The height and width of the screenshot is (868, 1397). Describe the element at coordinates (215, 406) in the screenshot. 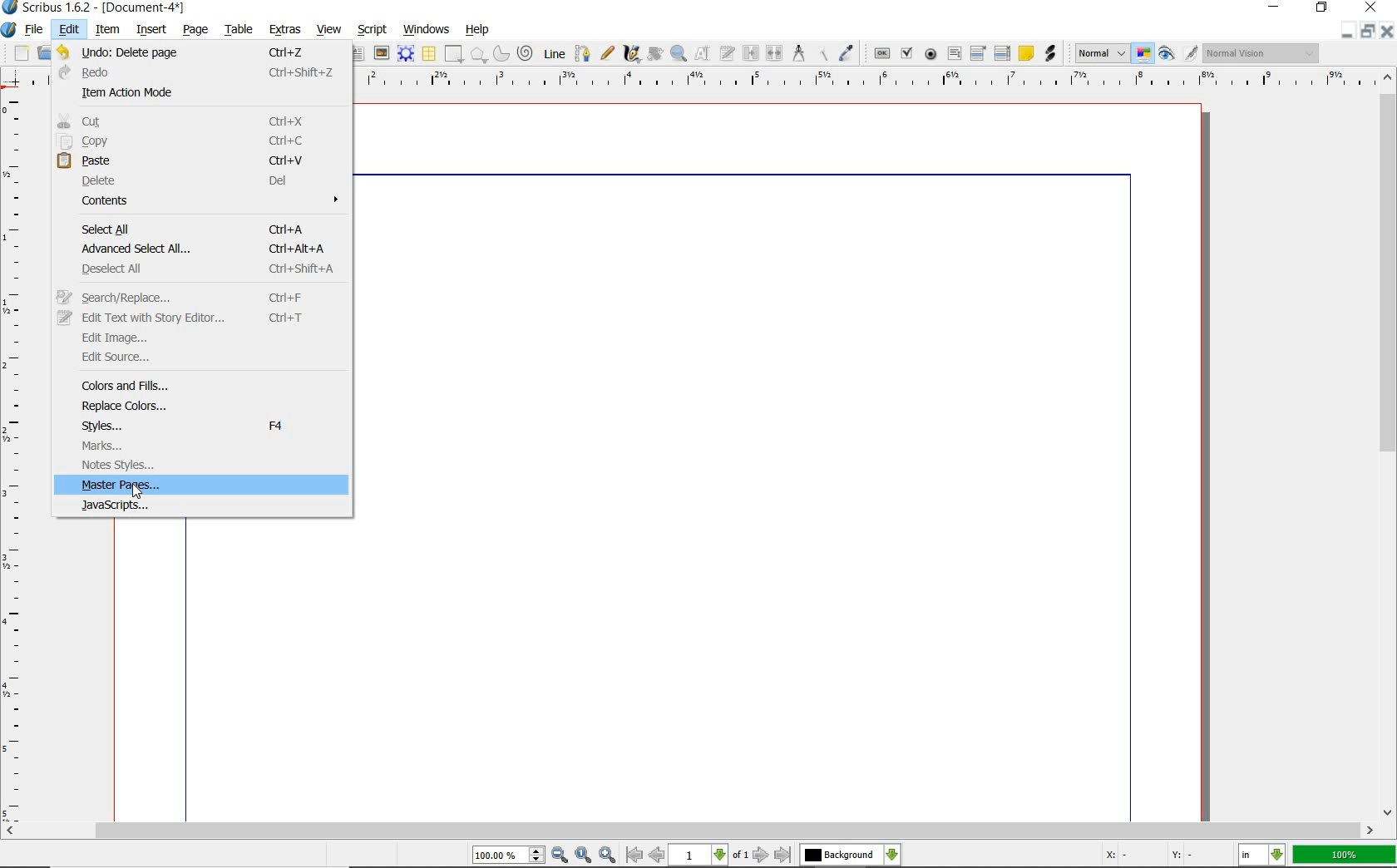

I see `replace colors` at that location.